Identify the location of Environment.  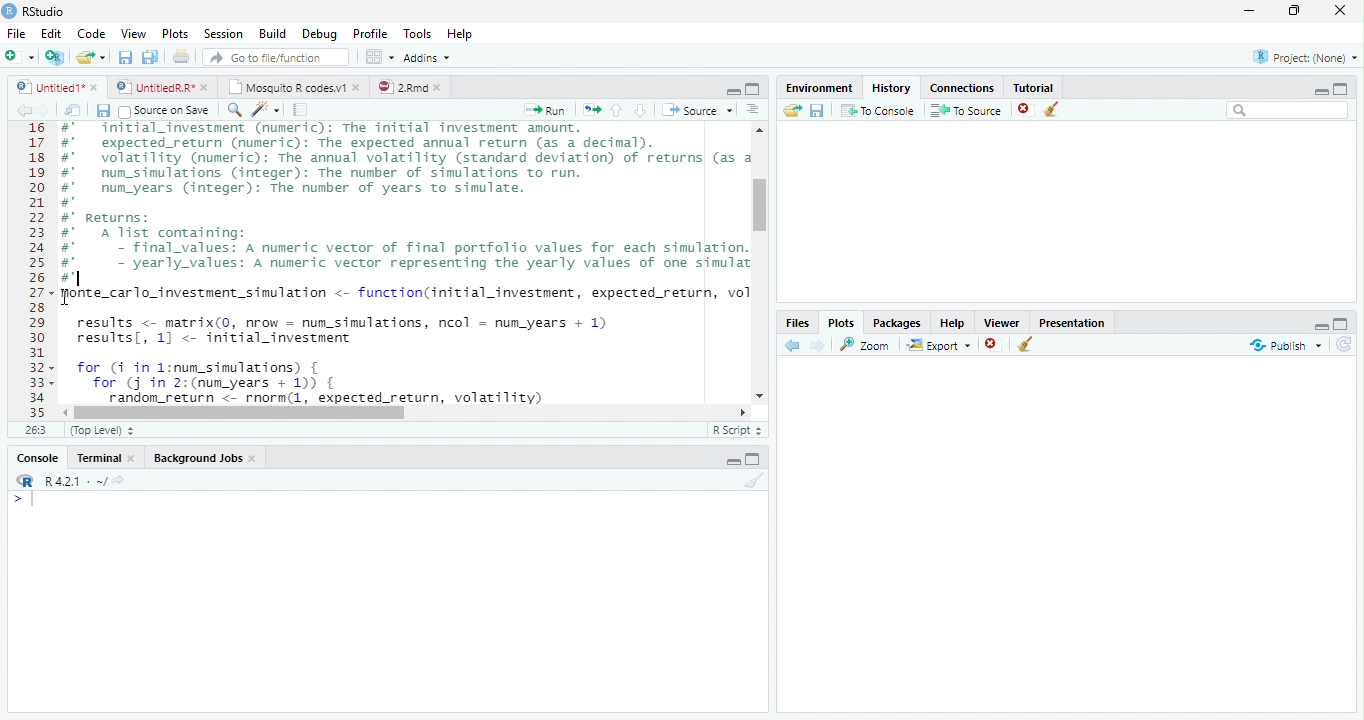
(819, 85).